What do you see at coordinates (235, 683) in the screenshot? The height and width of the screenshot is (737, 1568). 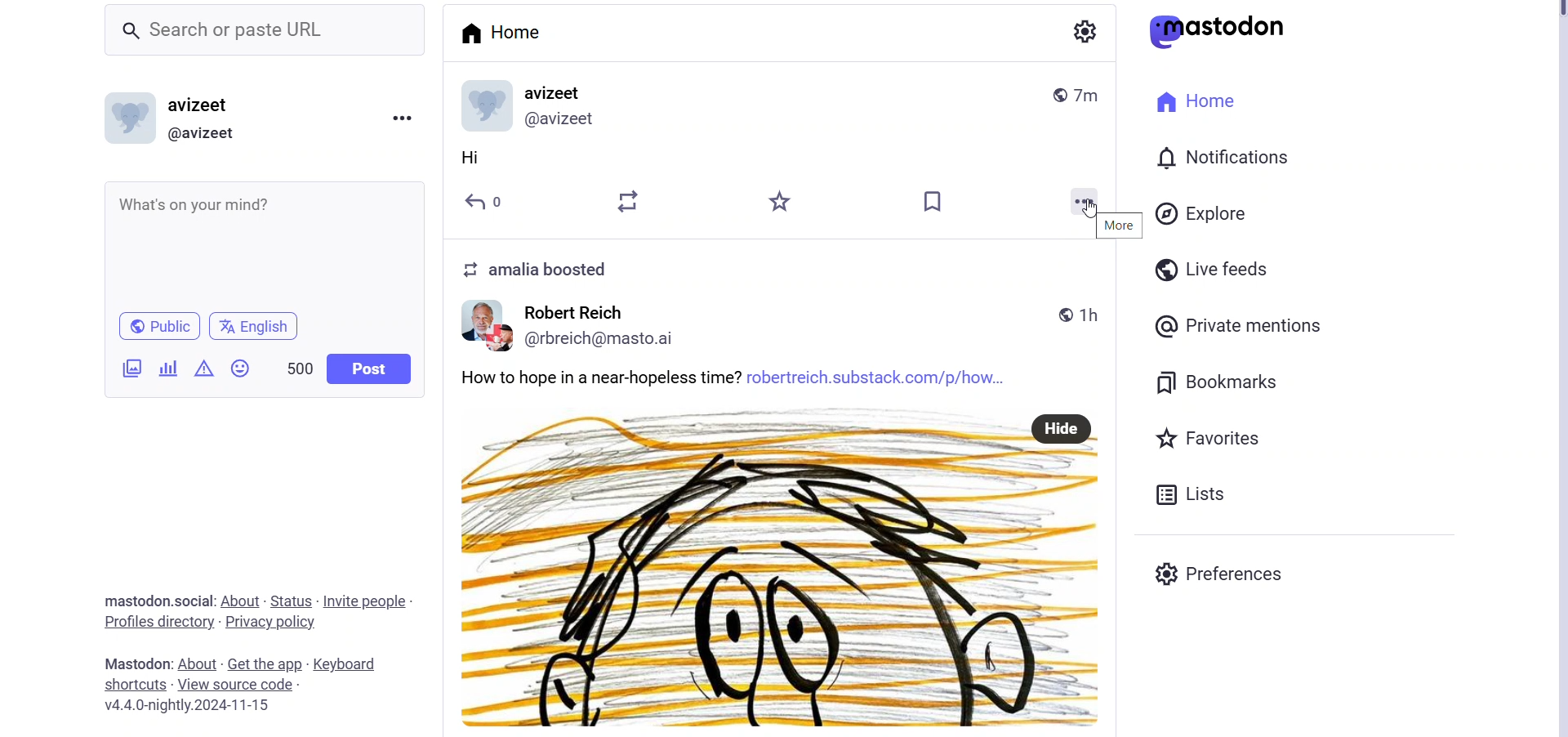 I see `View Source Code` at bounding box center [235, 683].